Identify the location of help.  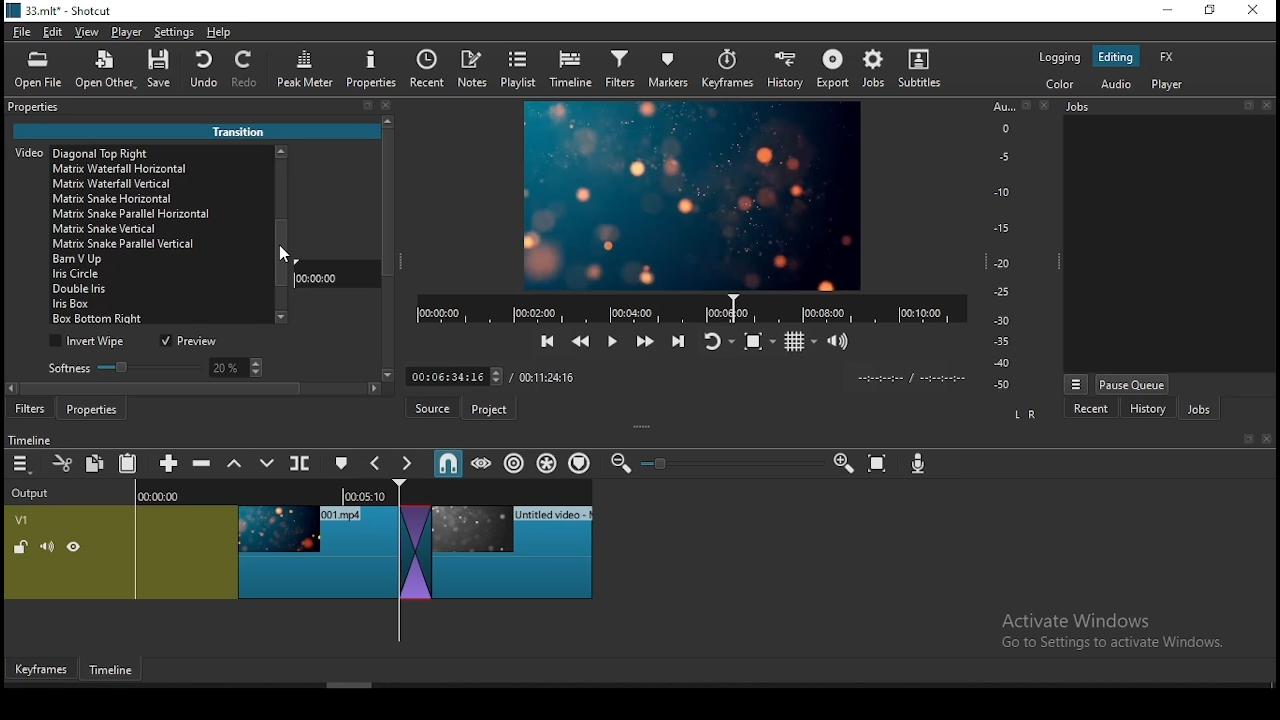
(216, 32).